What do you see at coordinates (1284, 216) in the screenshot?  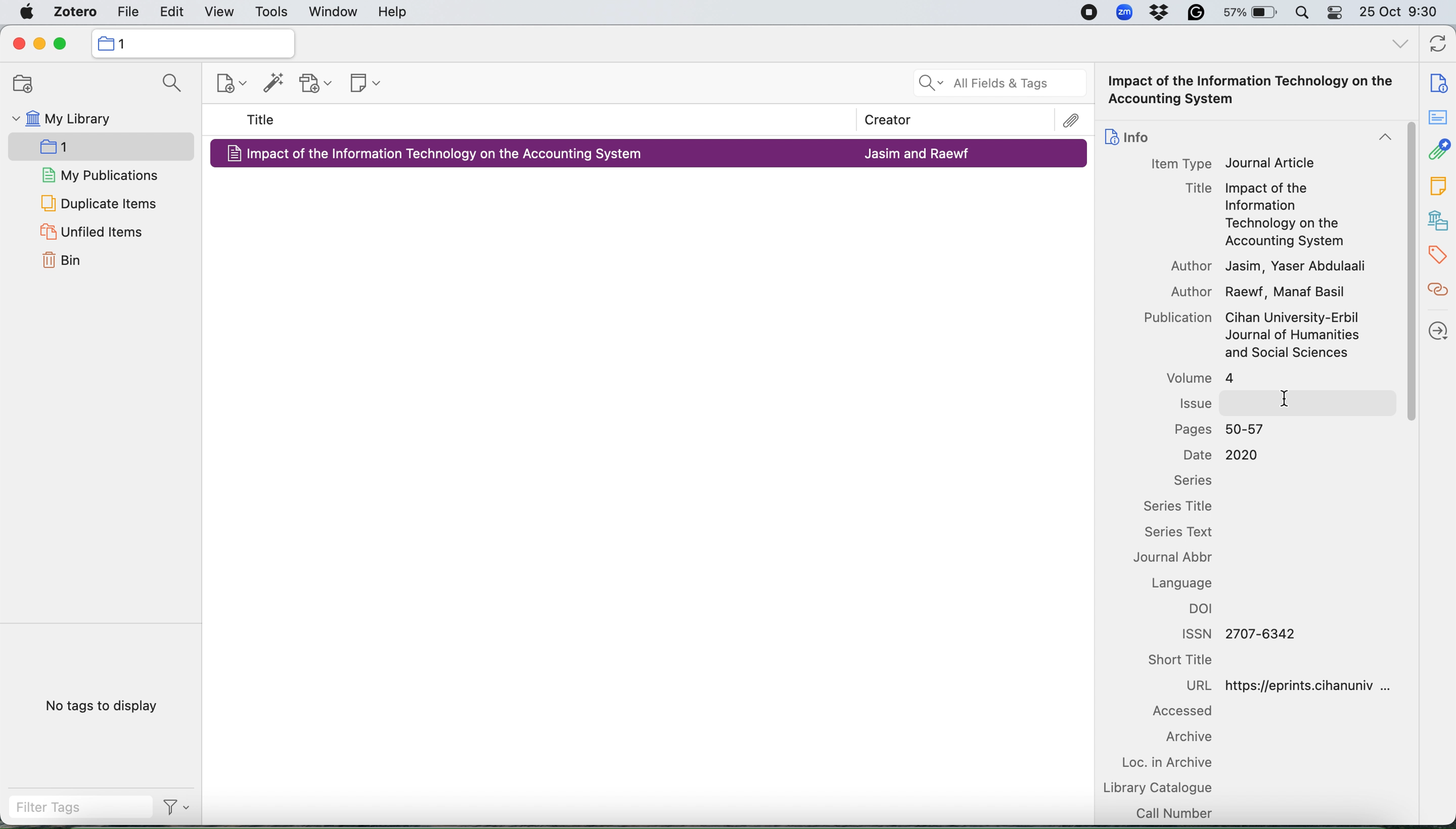 I see `Impact of the Information Technology on the Accounting System` at bounding box center [1284, 216].